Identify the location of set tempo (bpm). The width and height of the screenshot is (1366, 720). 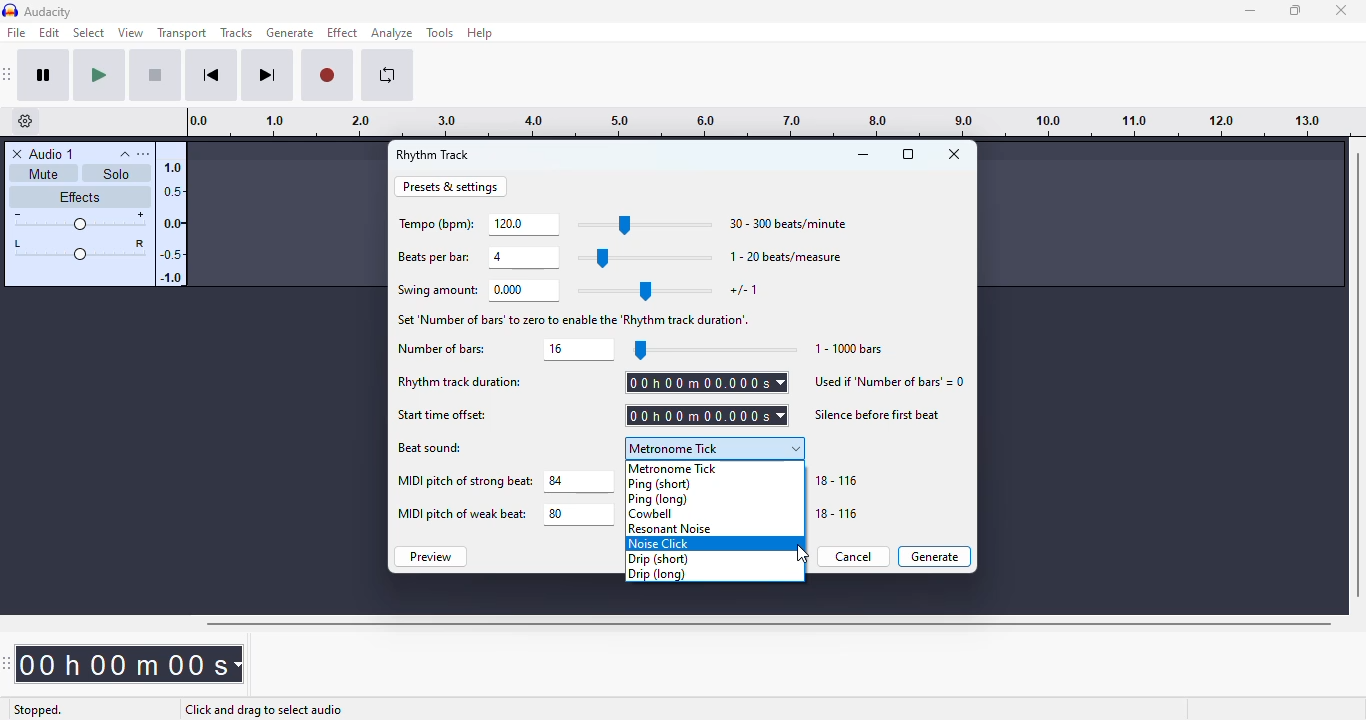
(525, 225).